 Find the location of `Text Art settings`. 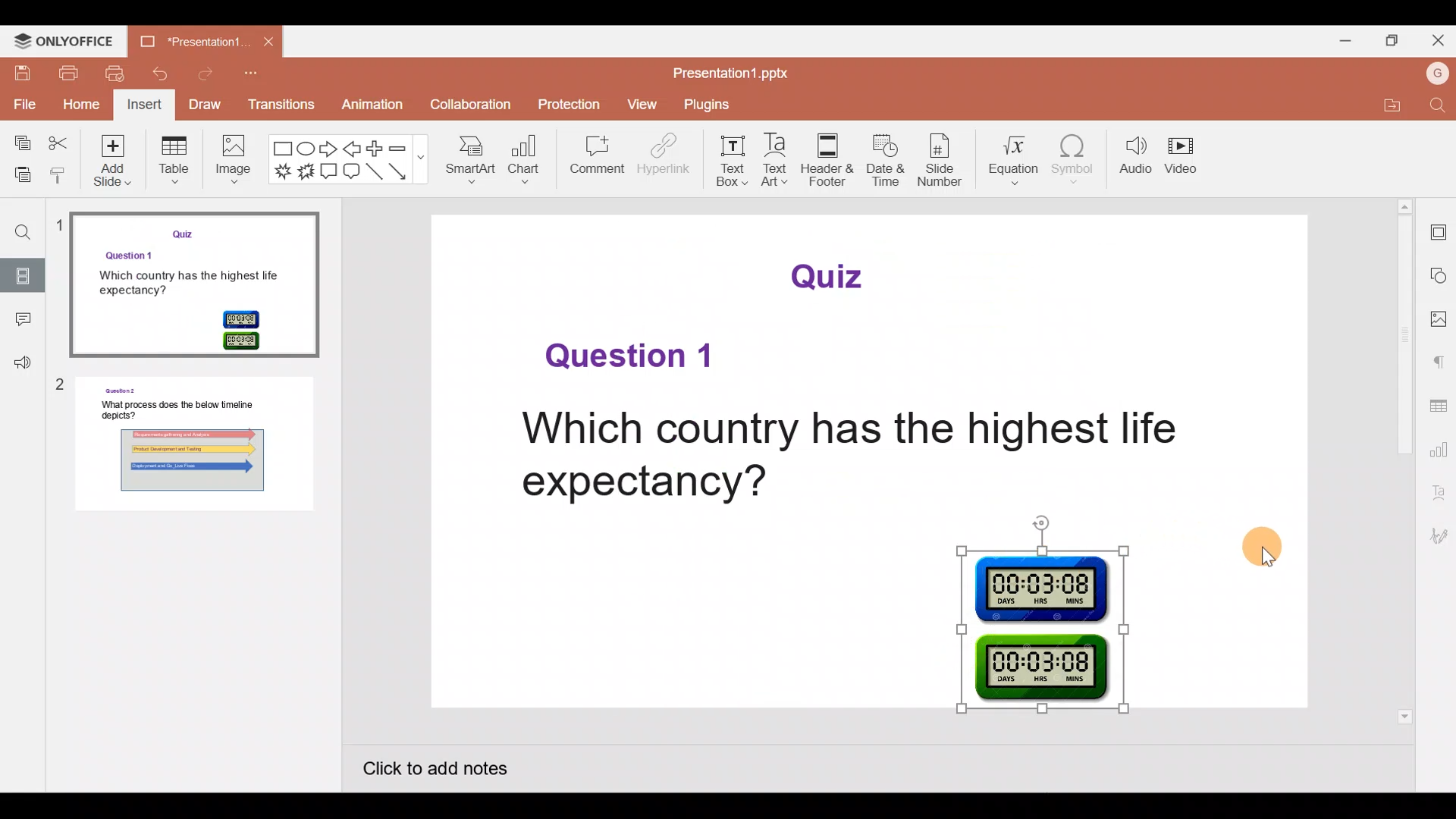

Text Art settings is located at coordinates (1439, 494).